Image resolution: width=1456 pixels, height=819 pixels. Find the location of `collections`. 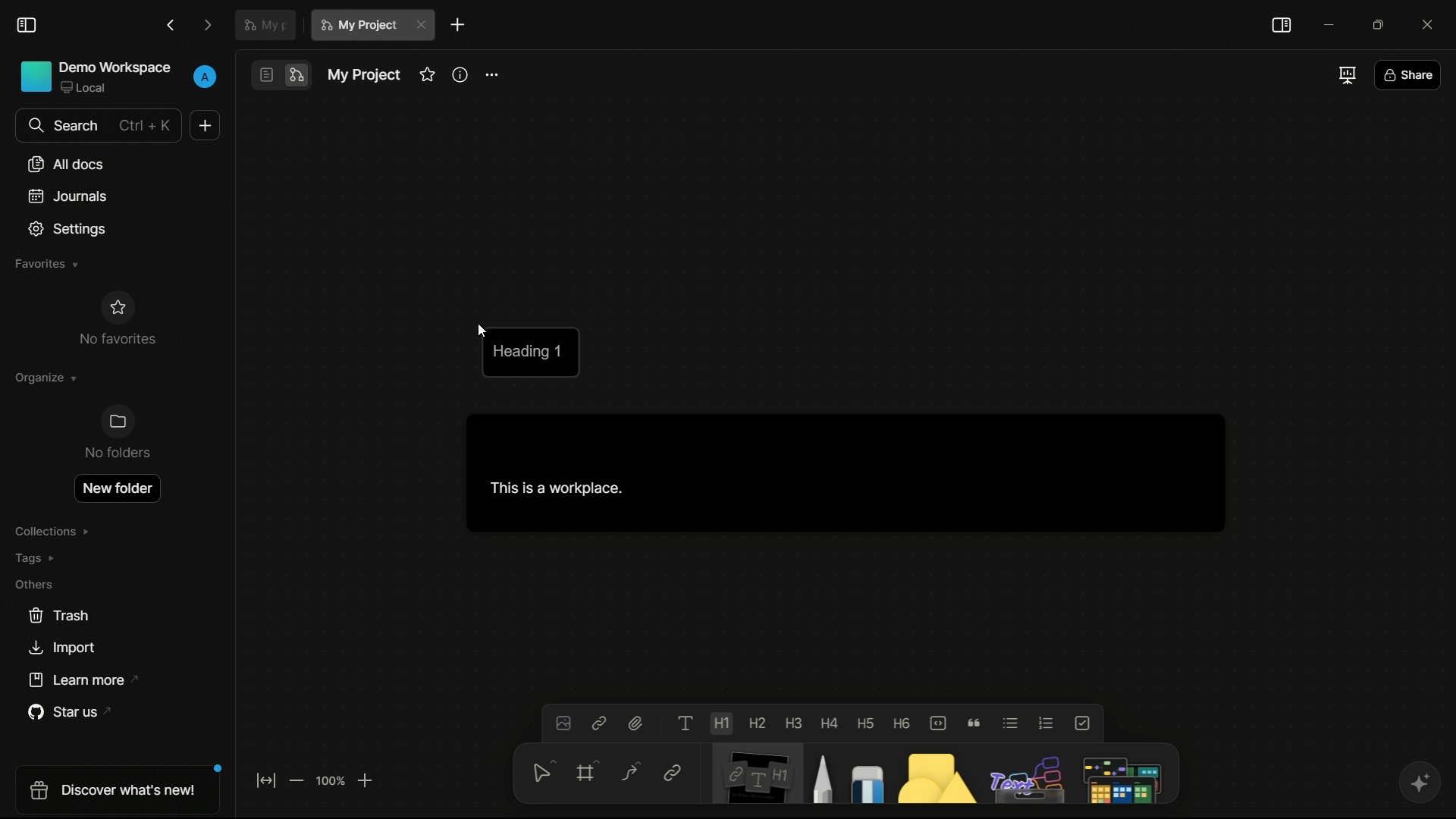

collections is located at coordinates (58, 532).